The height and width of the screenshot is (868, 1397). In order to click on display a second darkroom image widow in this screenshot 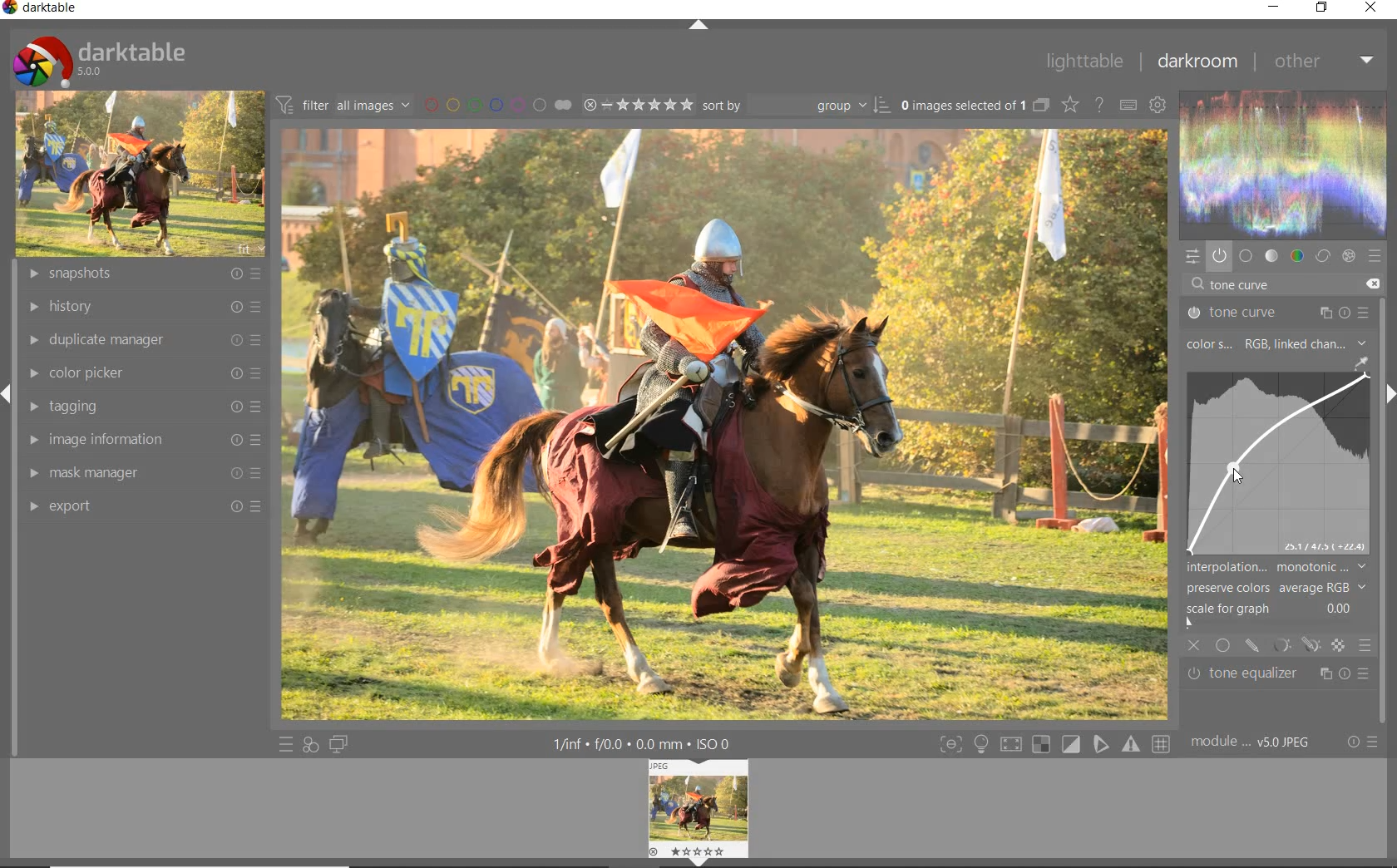, I will do `click(339, 743)`.